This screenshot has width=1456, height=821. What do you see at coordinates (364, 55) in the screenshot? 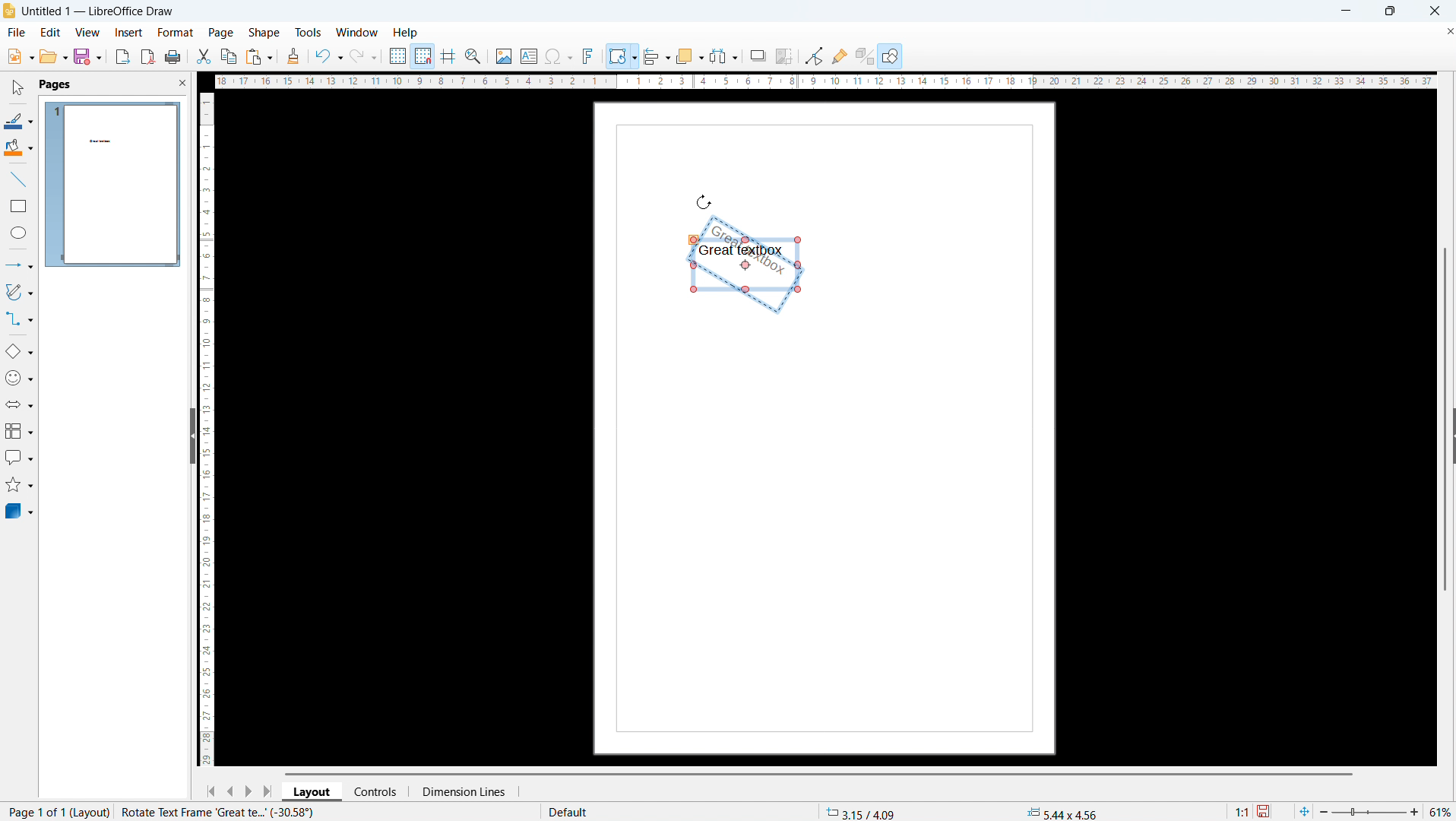
I see `redo` at bounding box center [364, 55].